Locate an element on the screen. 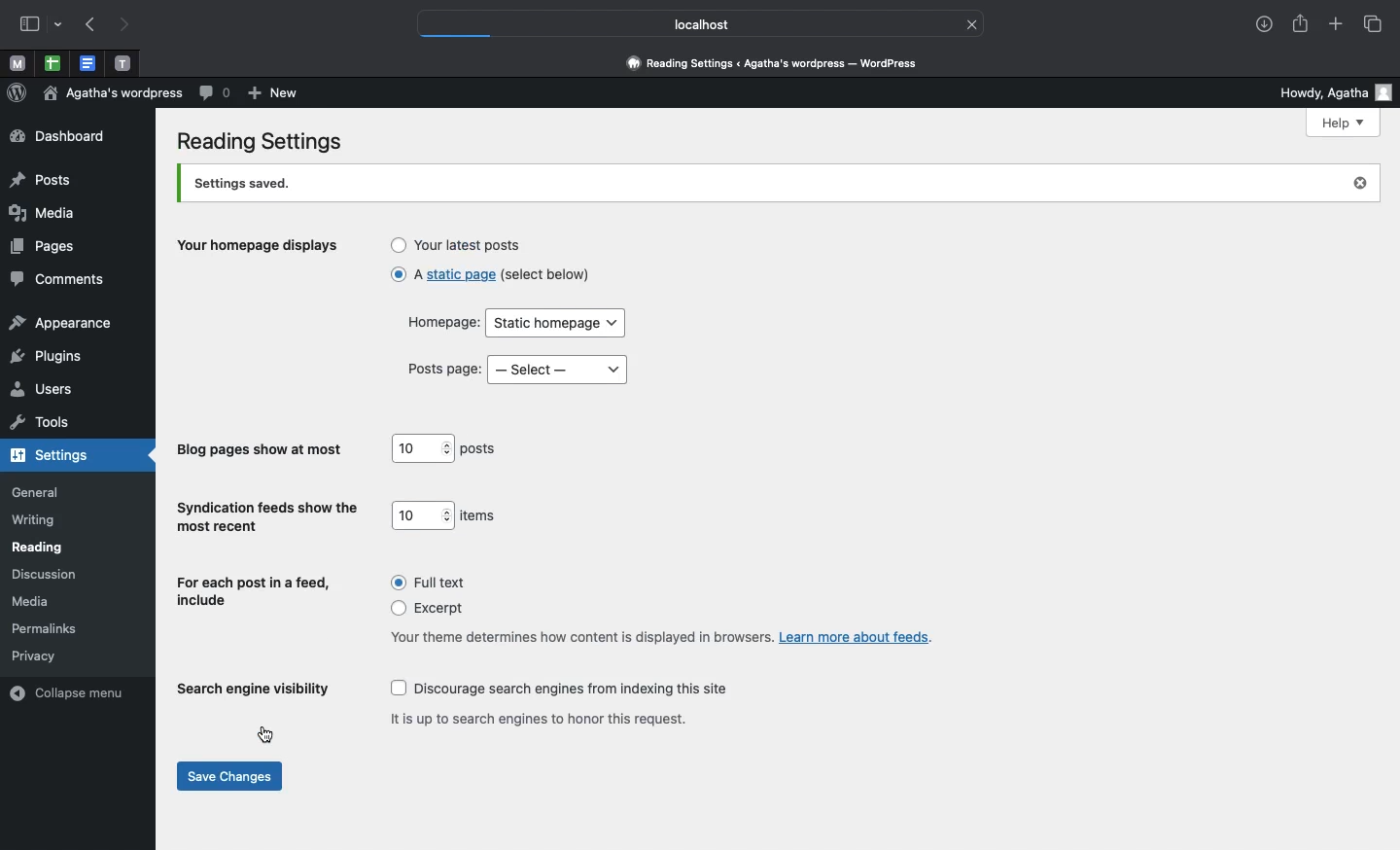  excerpt is located at coordinates (419, 609).